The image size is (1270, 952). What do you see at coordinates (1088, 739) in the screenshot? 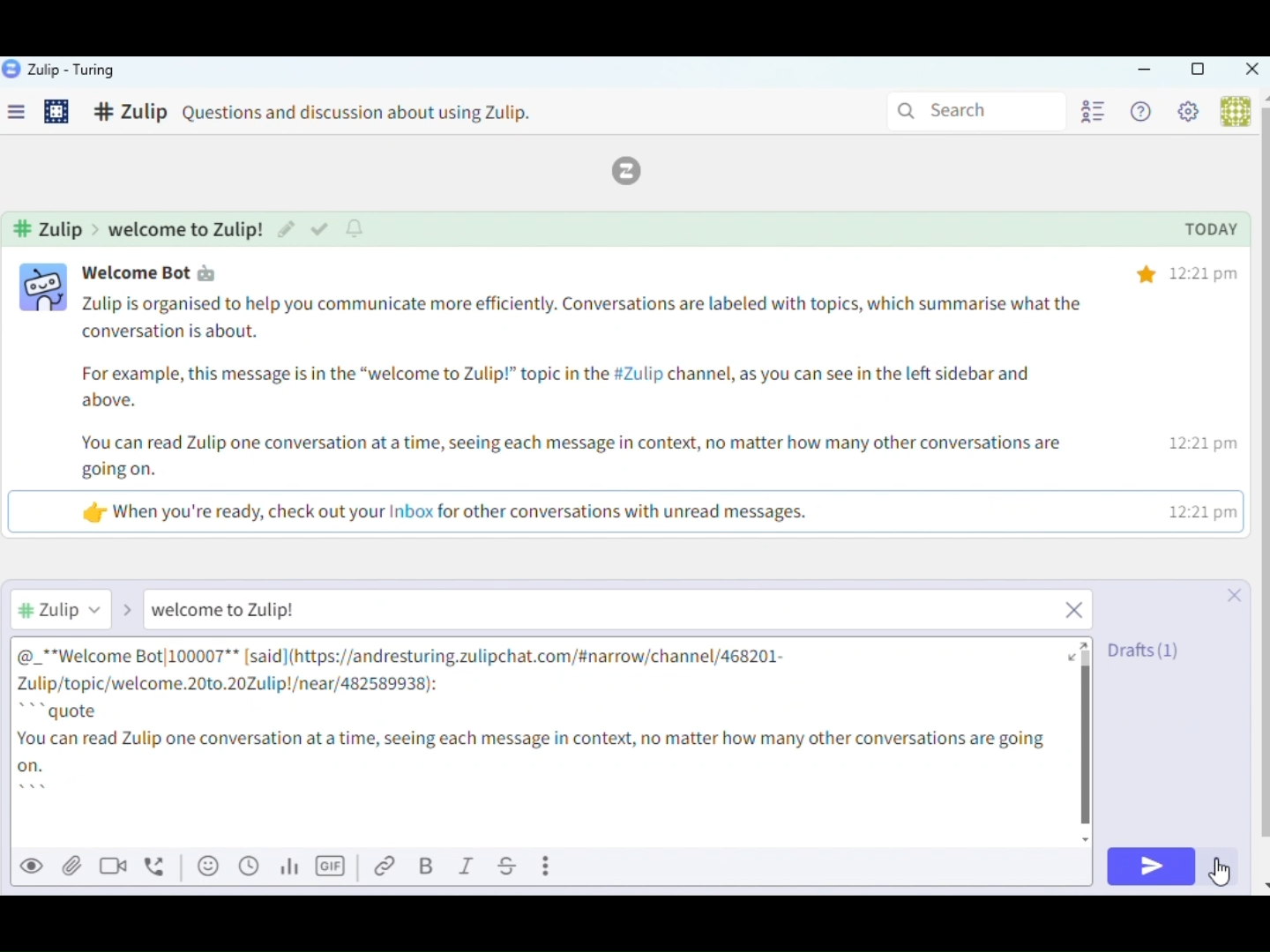
I see `vertical scroll bar` at bounding box center [1088, 739].